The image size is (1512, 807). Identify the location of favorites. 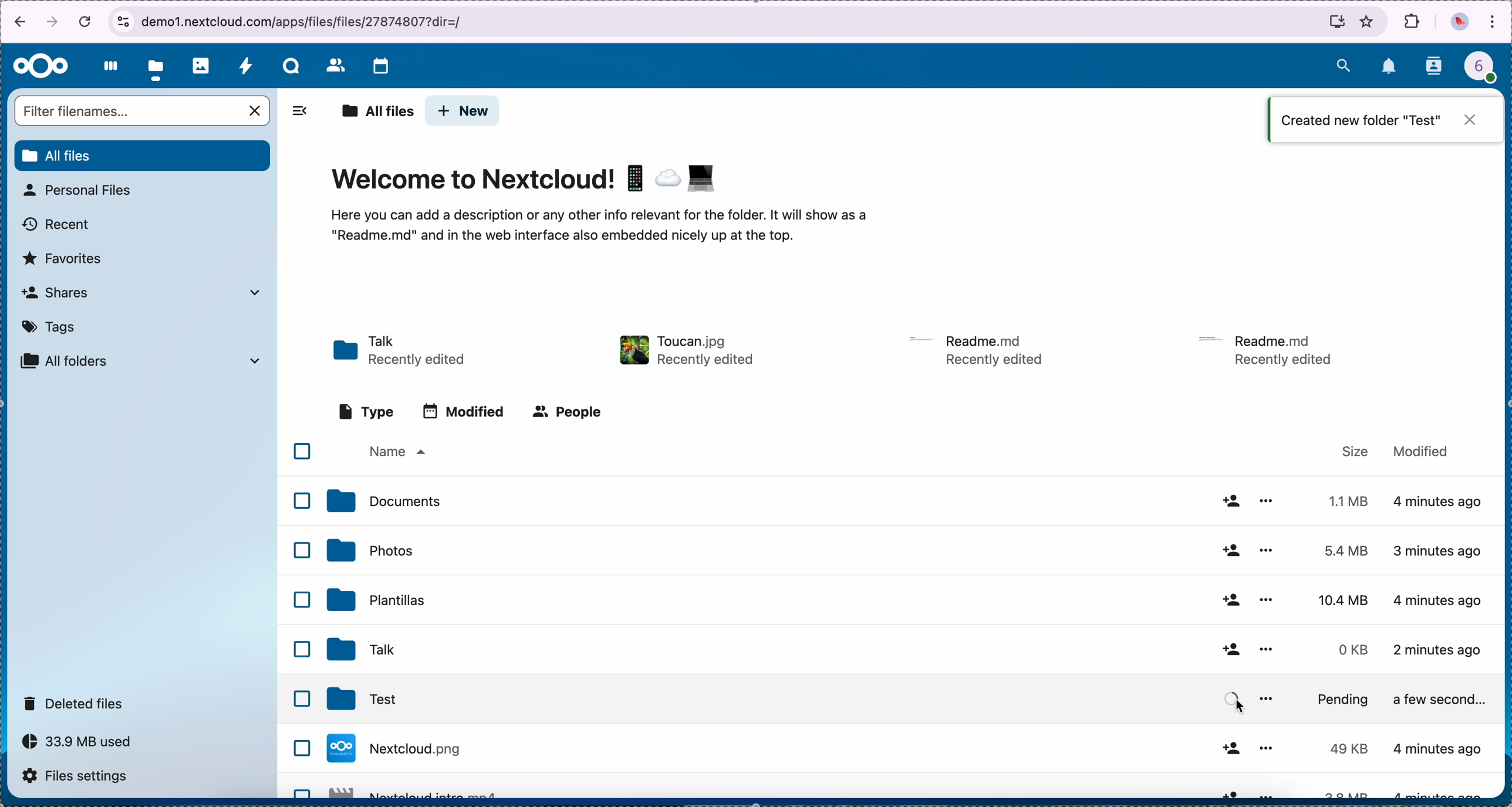
(63, 259).